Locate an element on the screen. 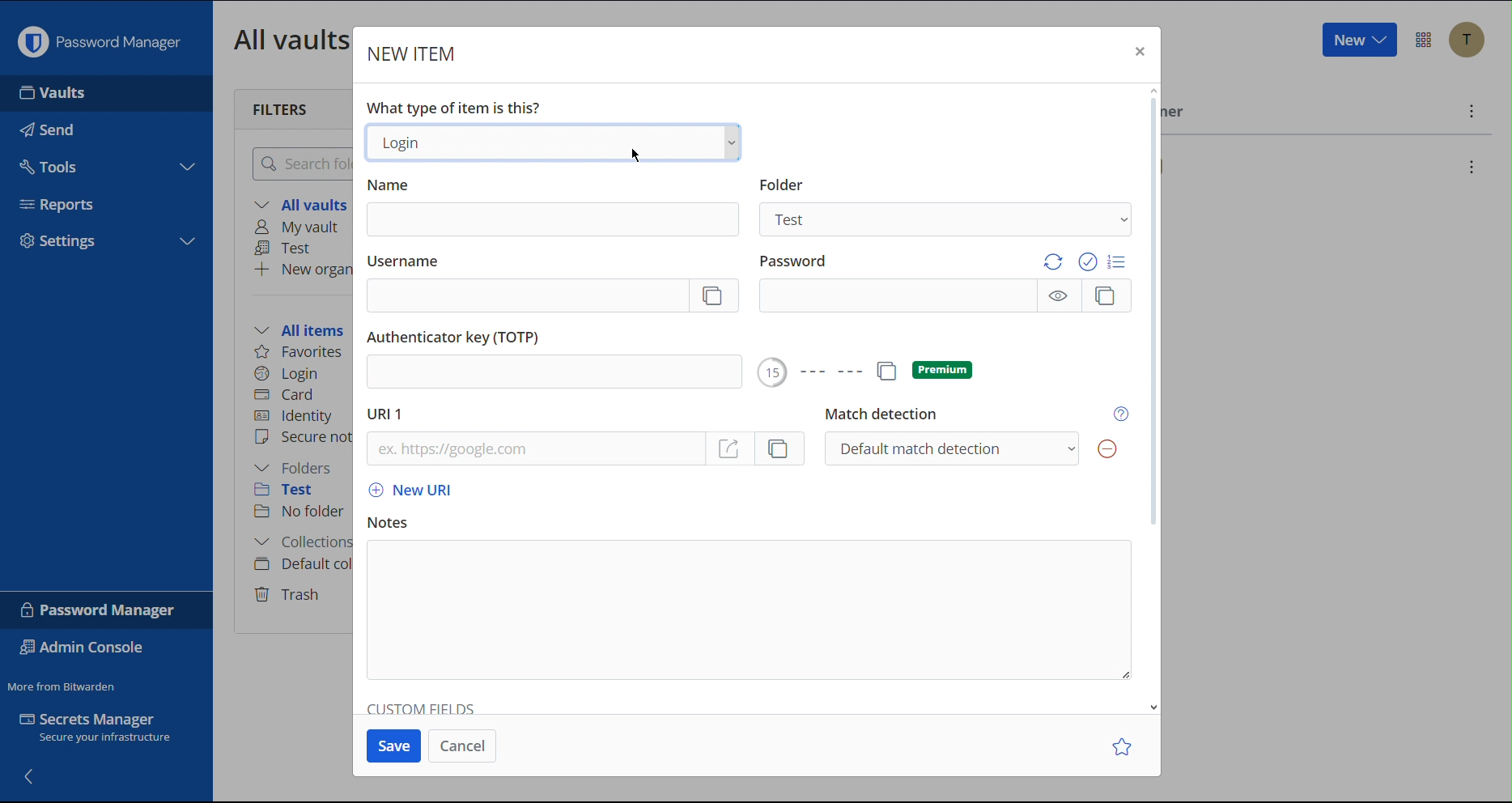  Trash is located at coordinates (290, 592).